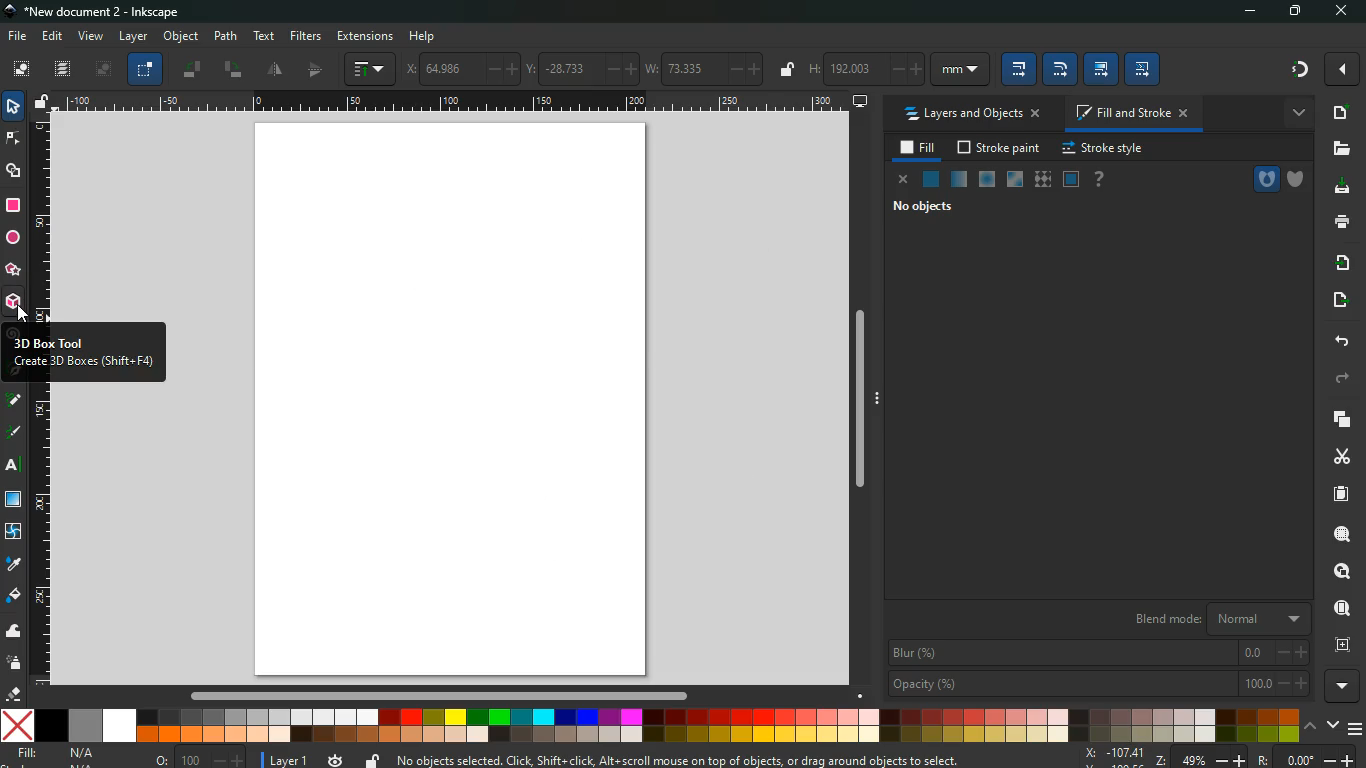 The height and width of the screenshot is (768, 1366). Describe the element at coordinates (1298, 12) in the screenshot. I see `maximize` at that location.